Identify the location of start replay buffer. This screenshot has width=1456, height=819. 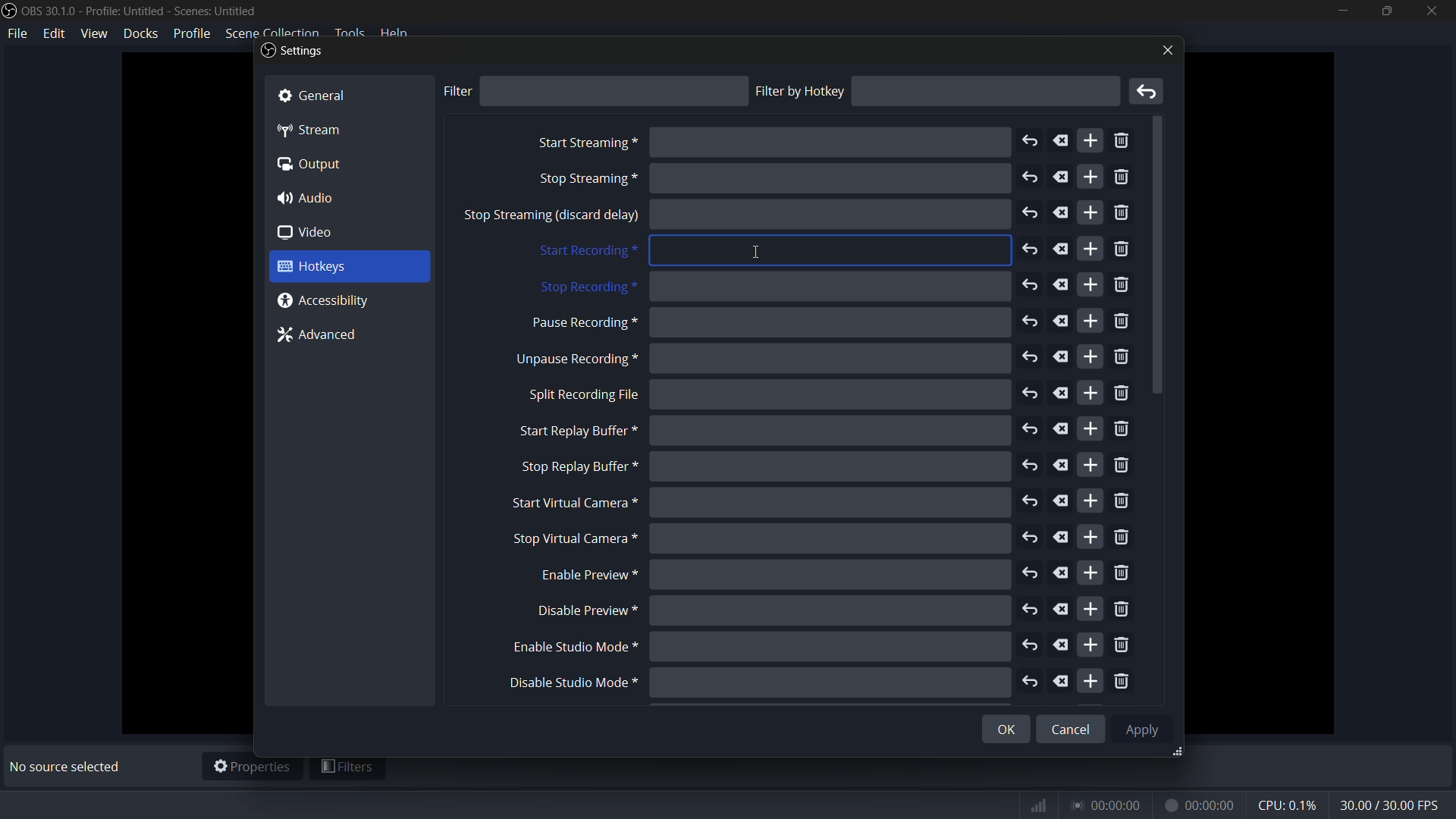
(571, 431).